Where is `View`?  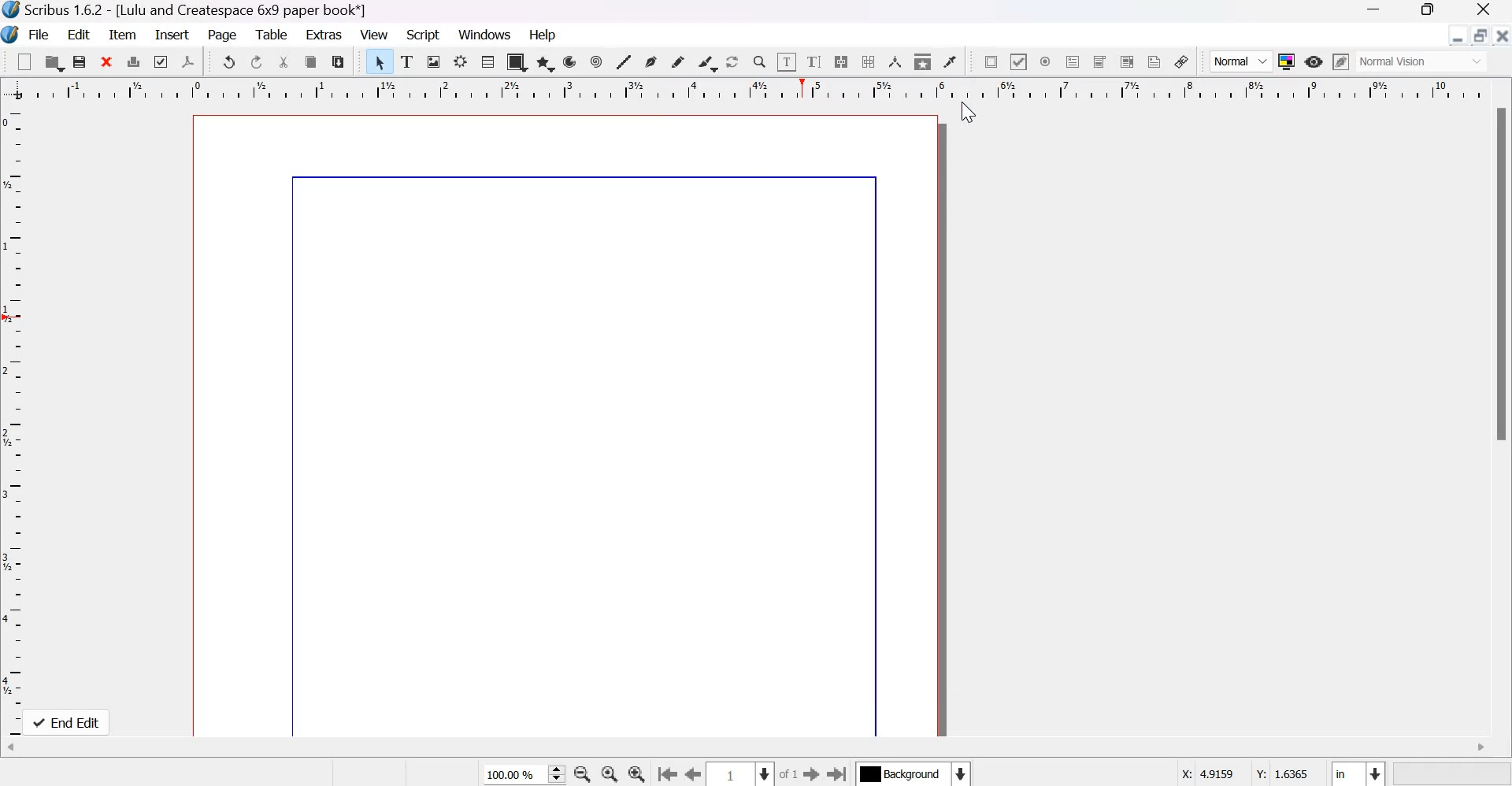
View is located at coordinates (373, 34).